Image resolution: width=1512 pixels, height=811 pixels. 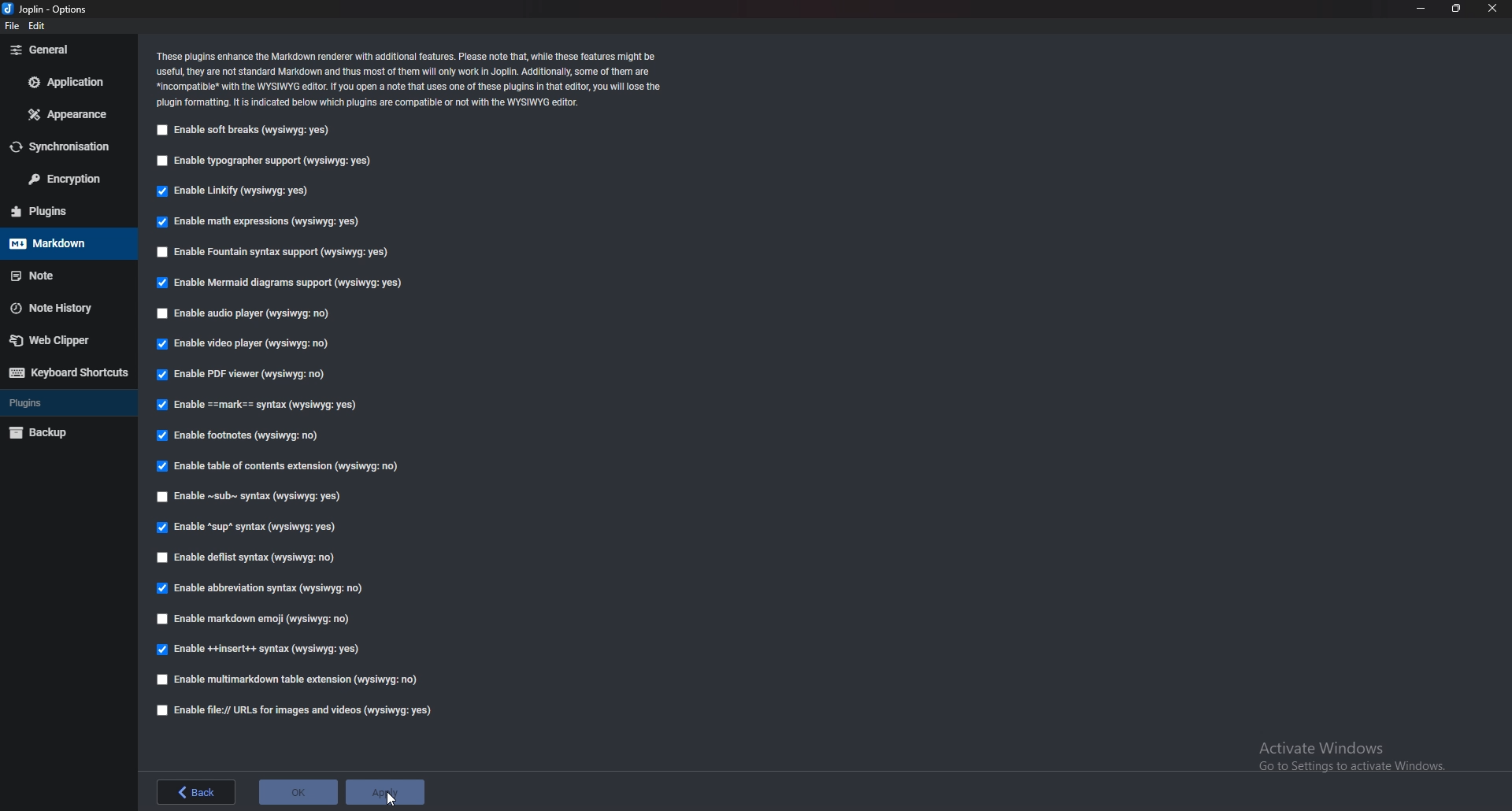 What do you see at coordinates (252, 497) in the screenshot?
I see `Enable Sub syntax` at bounding box center [252, 497].